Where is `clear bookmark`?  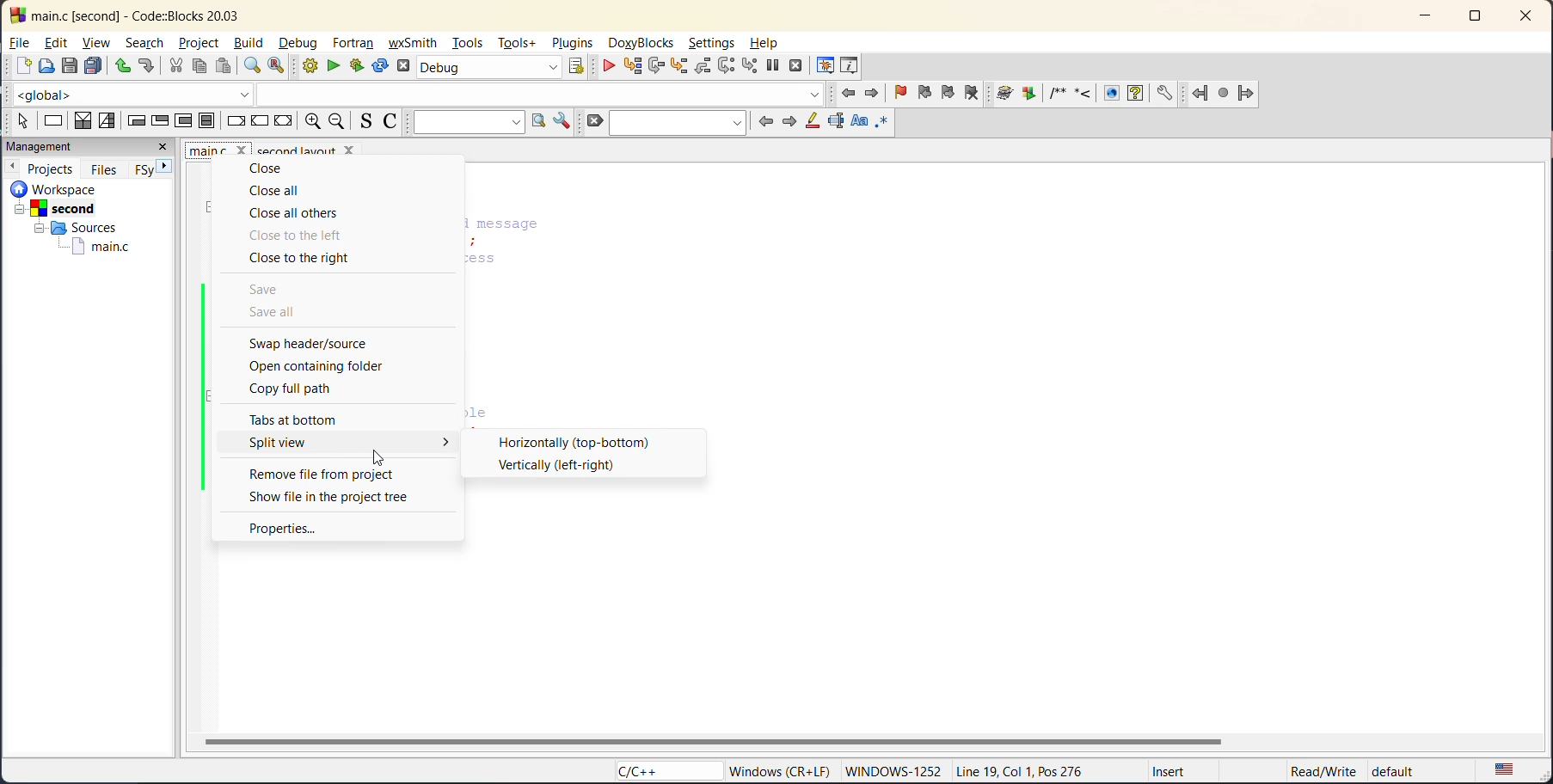
clear bookmark is located at coordinates (977, 95).